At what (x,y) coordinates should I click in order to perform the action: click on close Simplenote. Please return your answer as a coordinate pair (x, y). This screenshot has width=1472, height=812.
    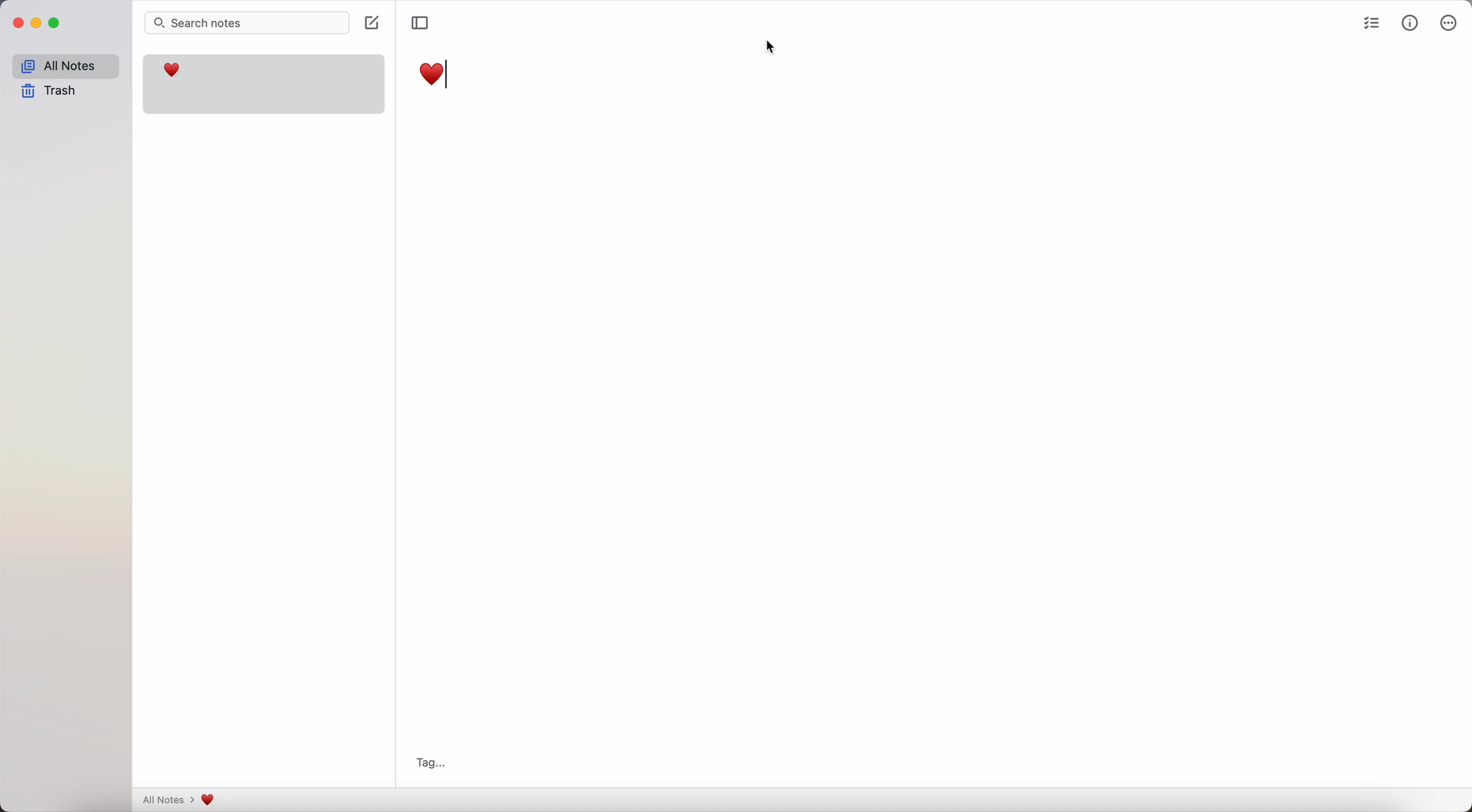
    Looking at the image, I should click on (16, 23).